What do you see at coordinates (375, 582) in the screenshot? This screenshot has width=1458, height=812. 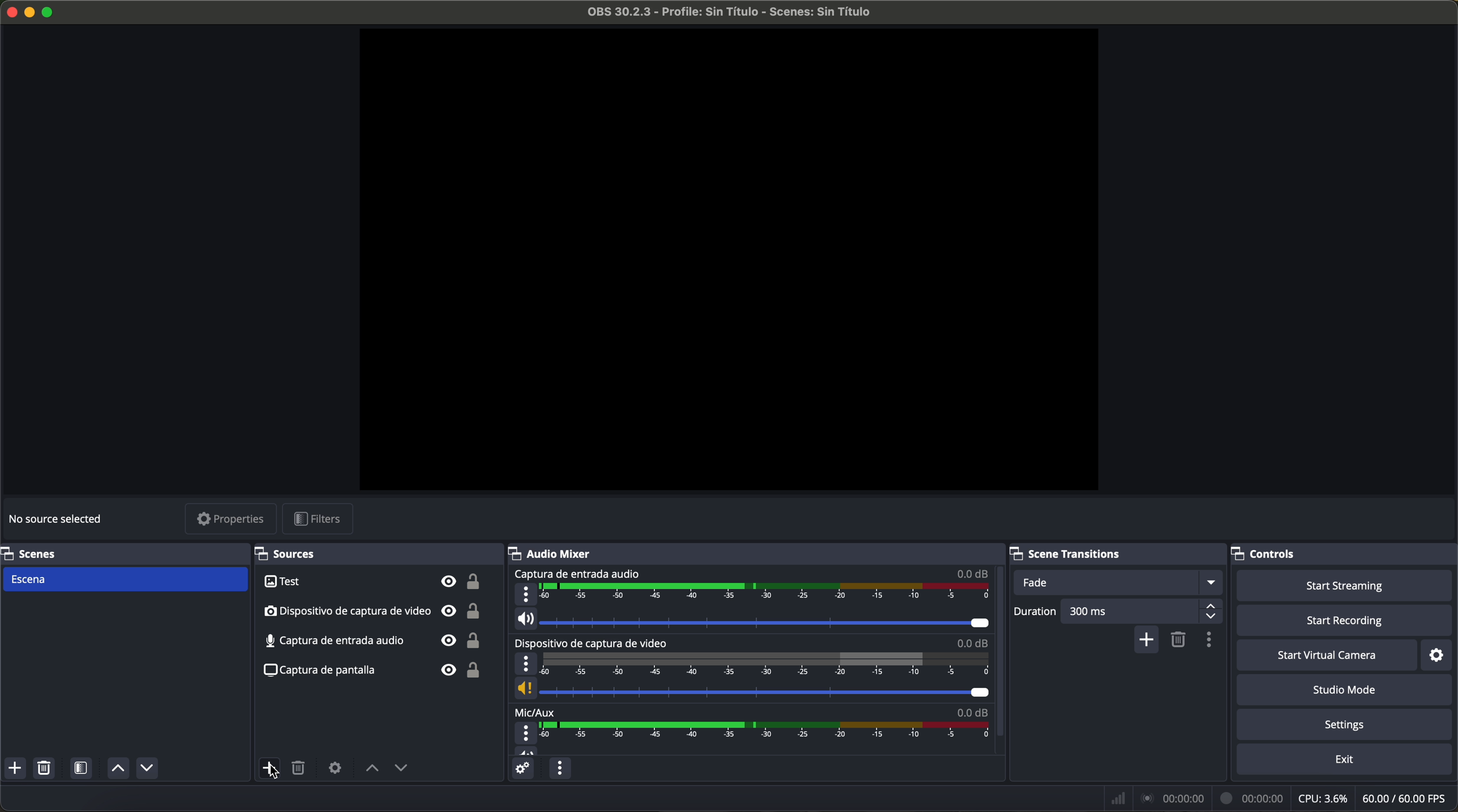 I see `test` at bounding box center [375, 582].